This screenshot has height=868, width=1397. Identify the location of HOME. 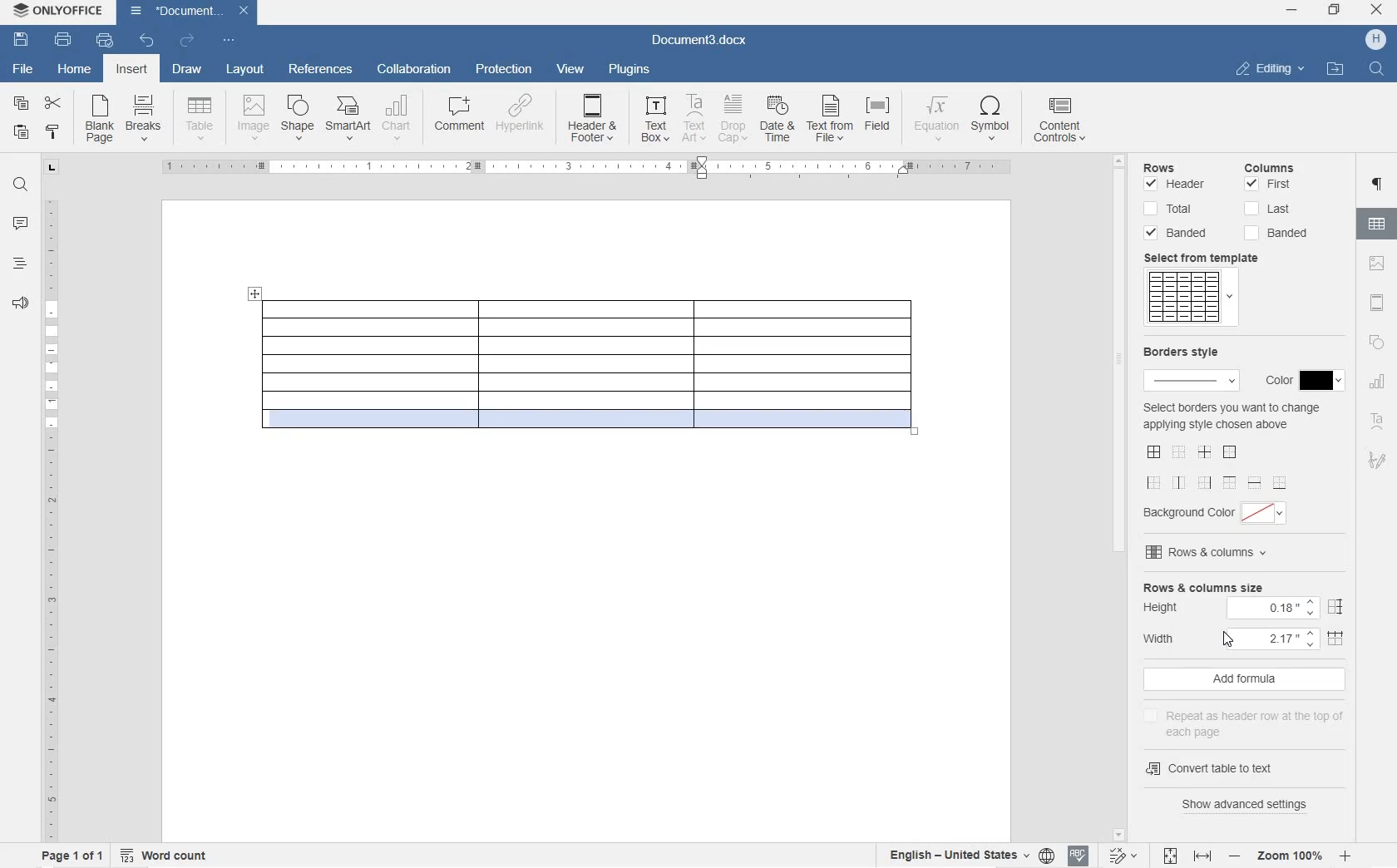
(74, 67).